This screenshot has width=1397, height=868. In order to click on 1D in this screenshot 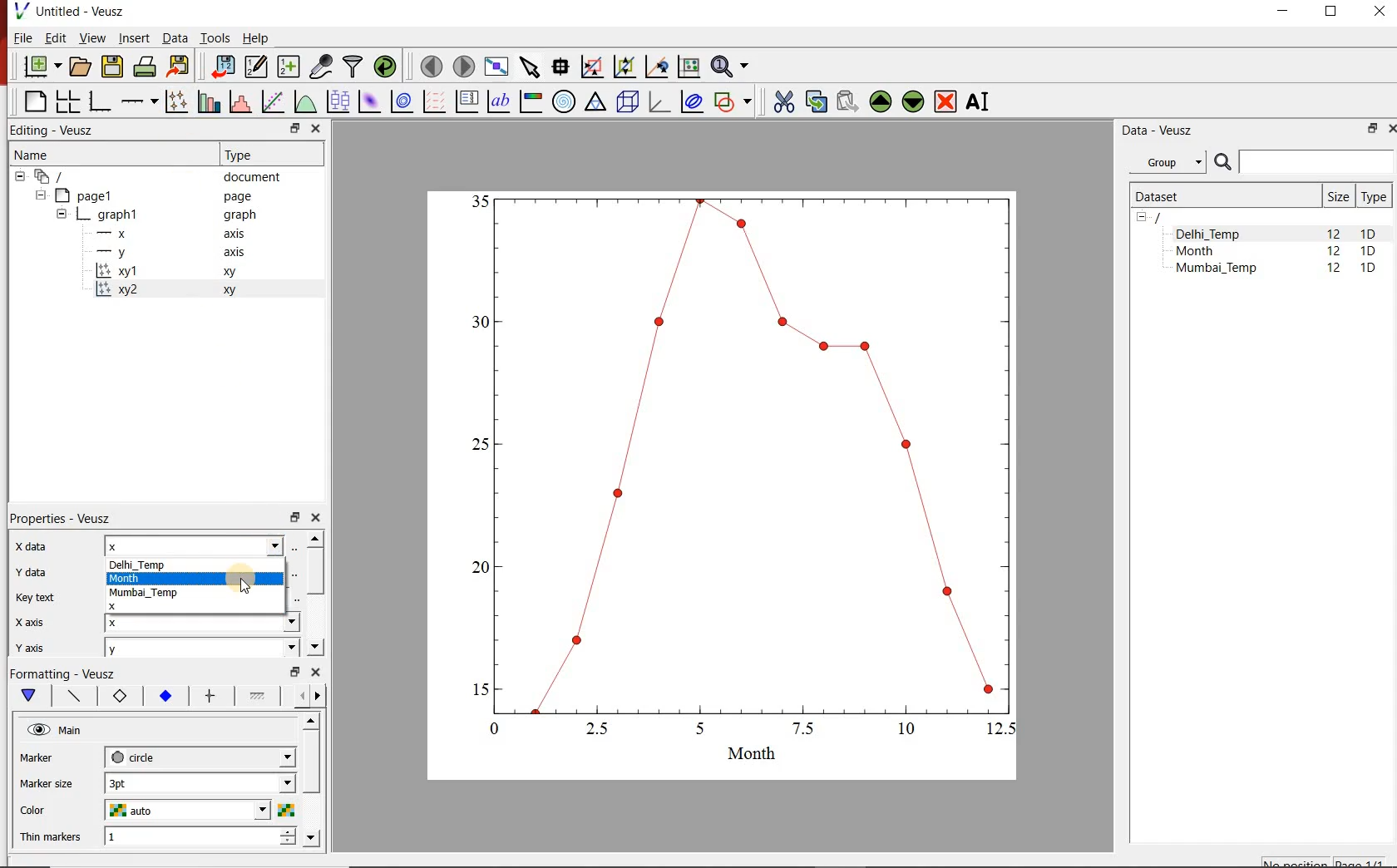, I will do `click(1368, 269)`.